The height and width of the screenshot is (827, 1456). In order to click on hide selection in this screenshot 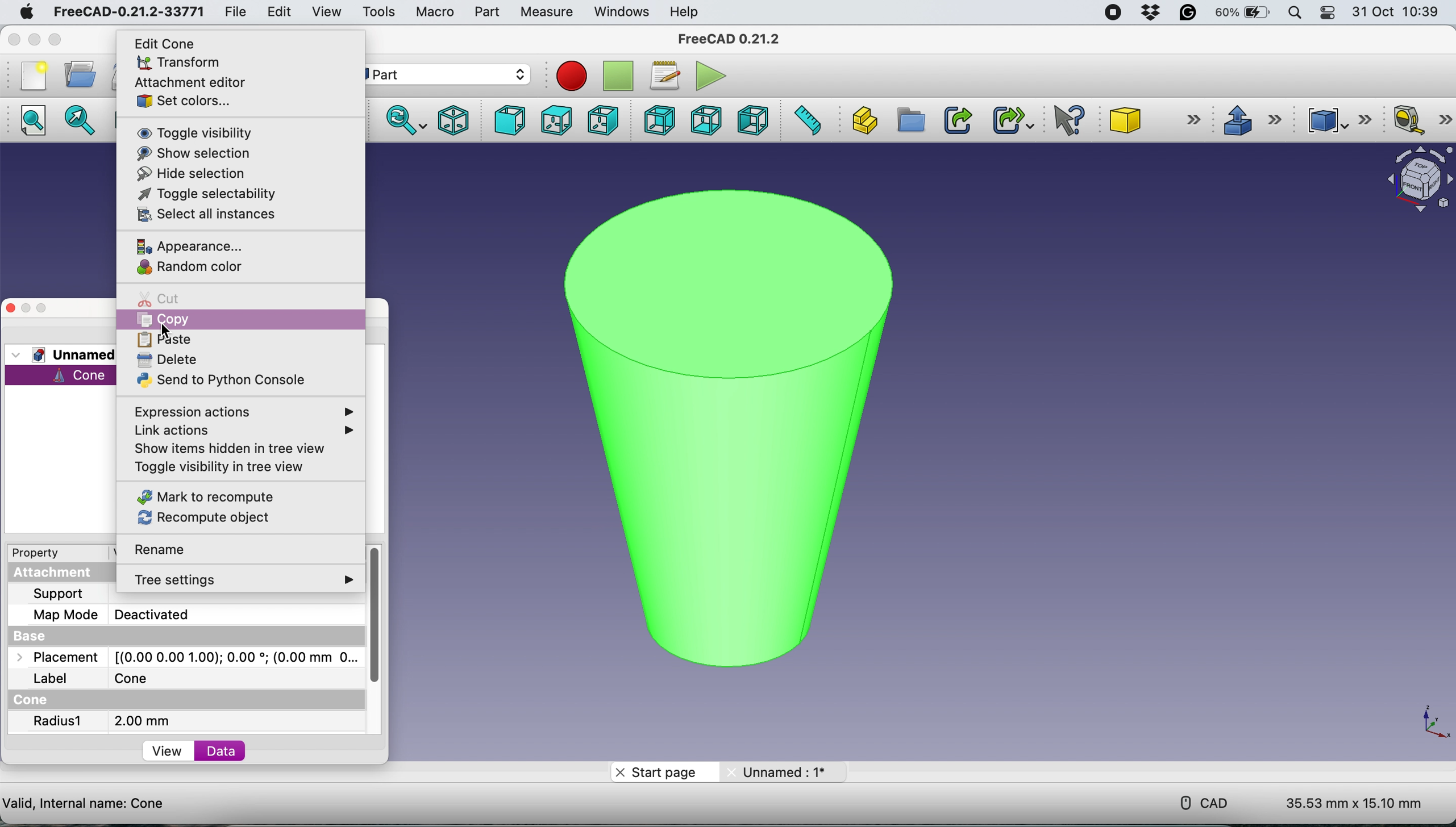, I will do `click(193, 172)`.